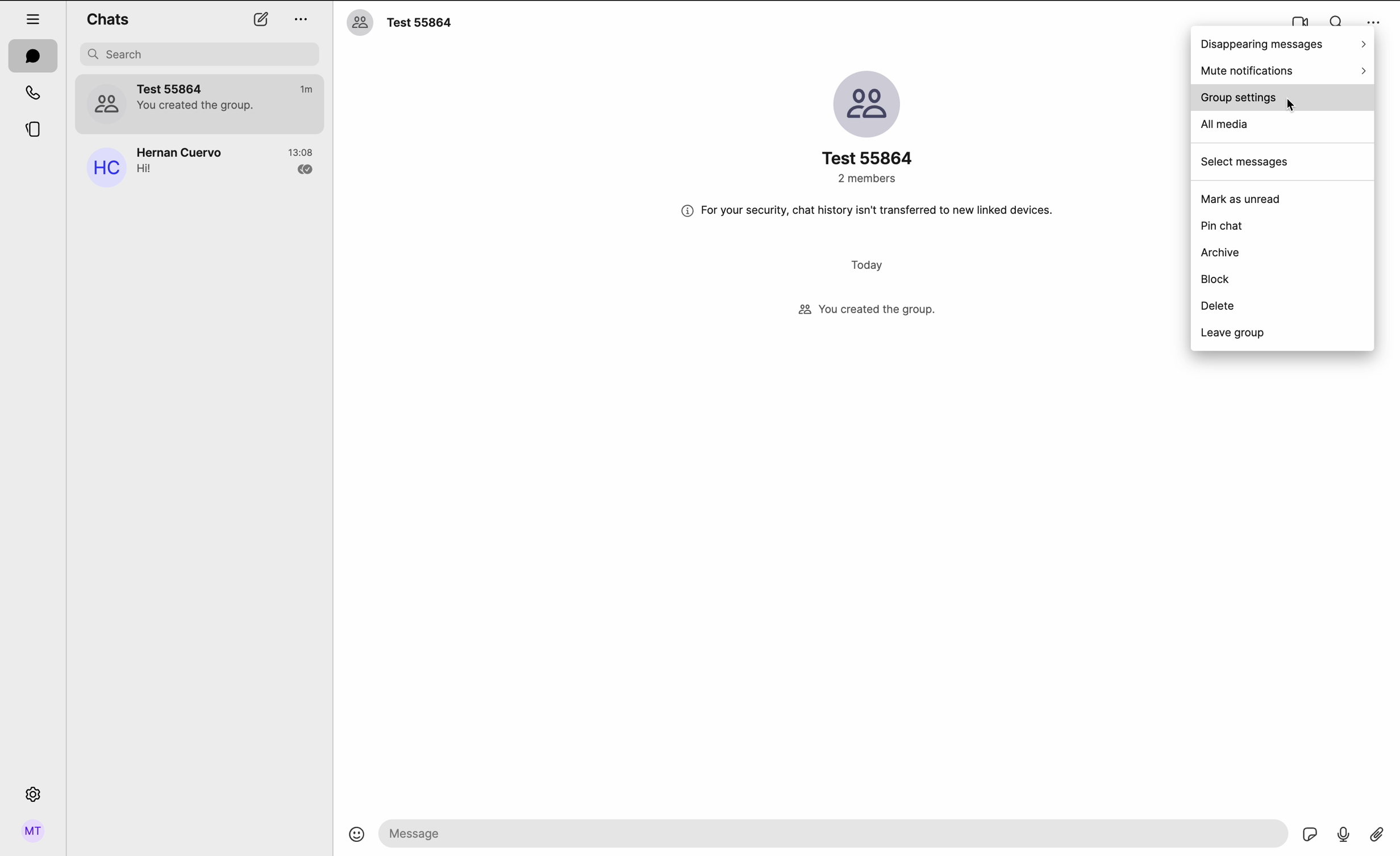 This screenshot has width=1400, height=856. Describe the element at coordinates (30, 94) in the screenshot. I see `calls` at that location.